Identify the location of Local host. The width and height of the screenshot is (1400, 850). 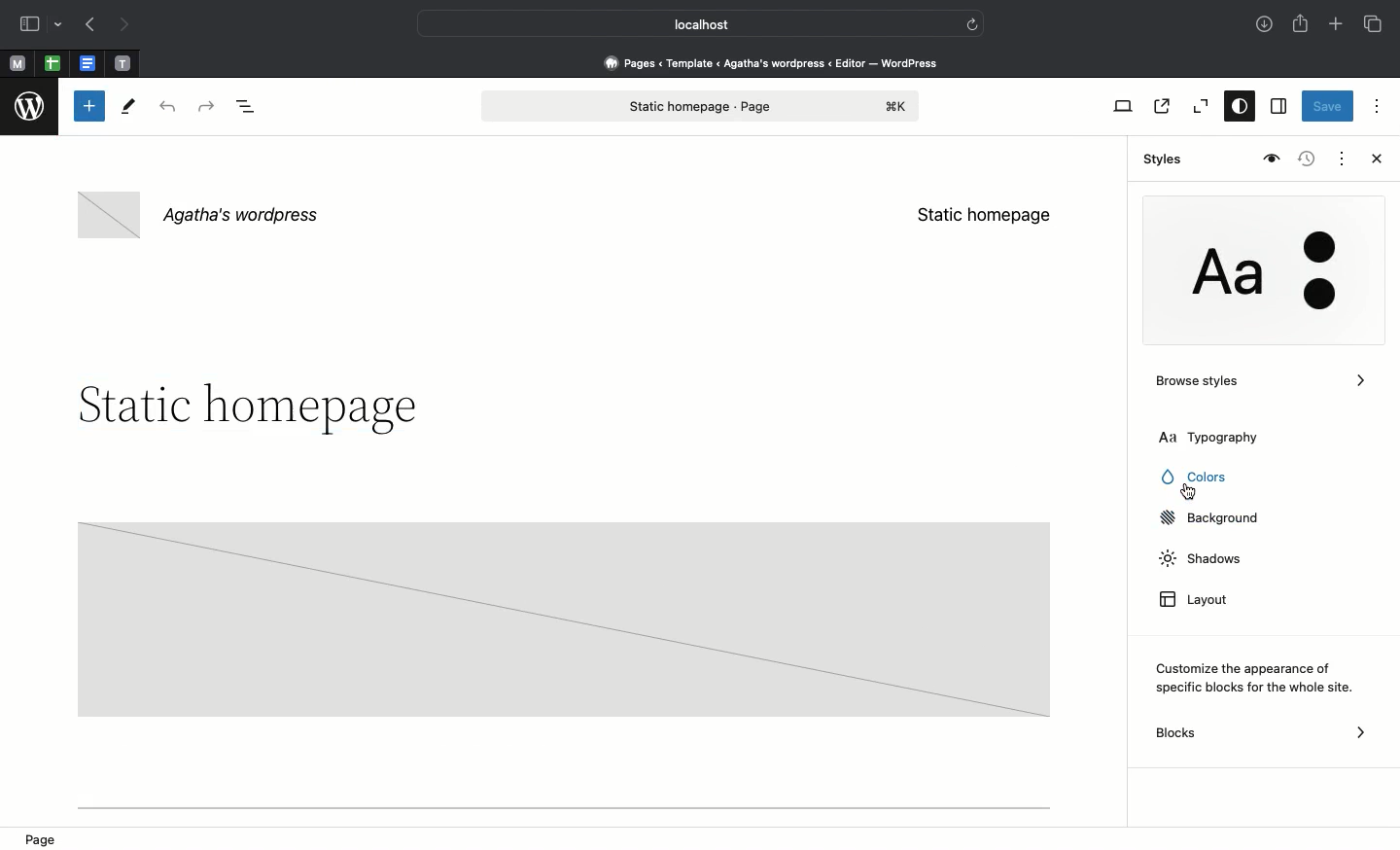
(686, 23).